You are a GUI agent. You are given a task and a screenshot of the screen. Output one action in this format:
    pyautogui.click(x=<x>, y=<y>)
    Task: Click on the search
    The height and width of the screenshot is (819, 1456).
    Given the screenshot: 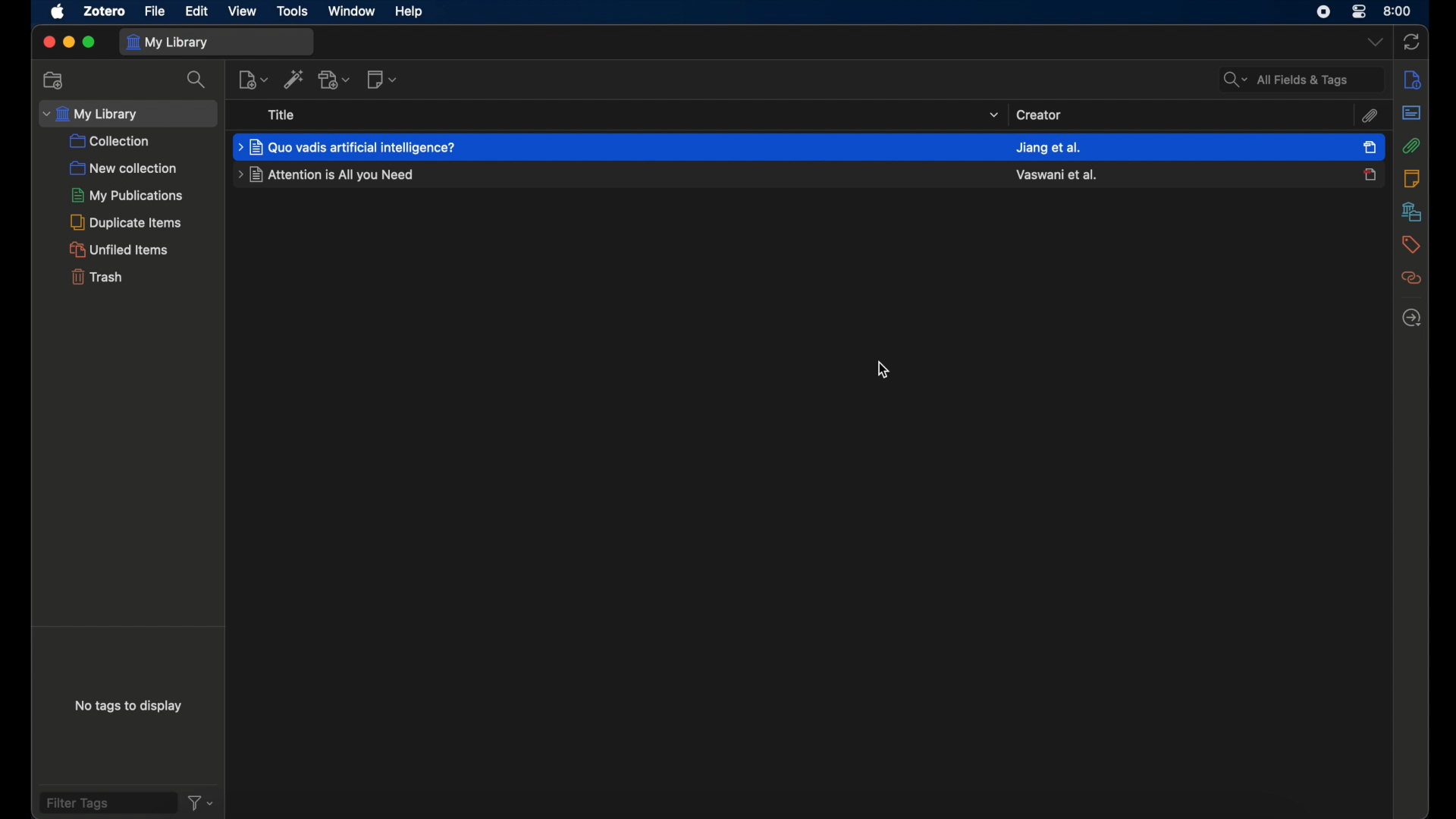 What is the action you would take?
    pyautogui.click(x=196, y=80)
    